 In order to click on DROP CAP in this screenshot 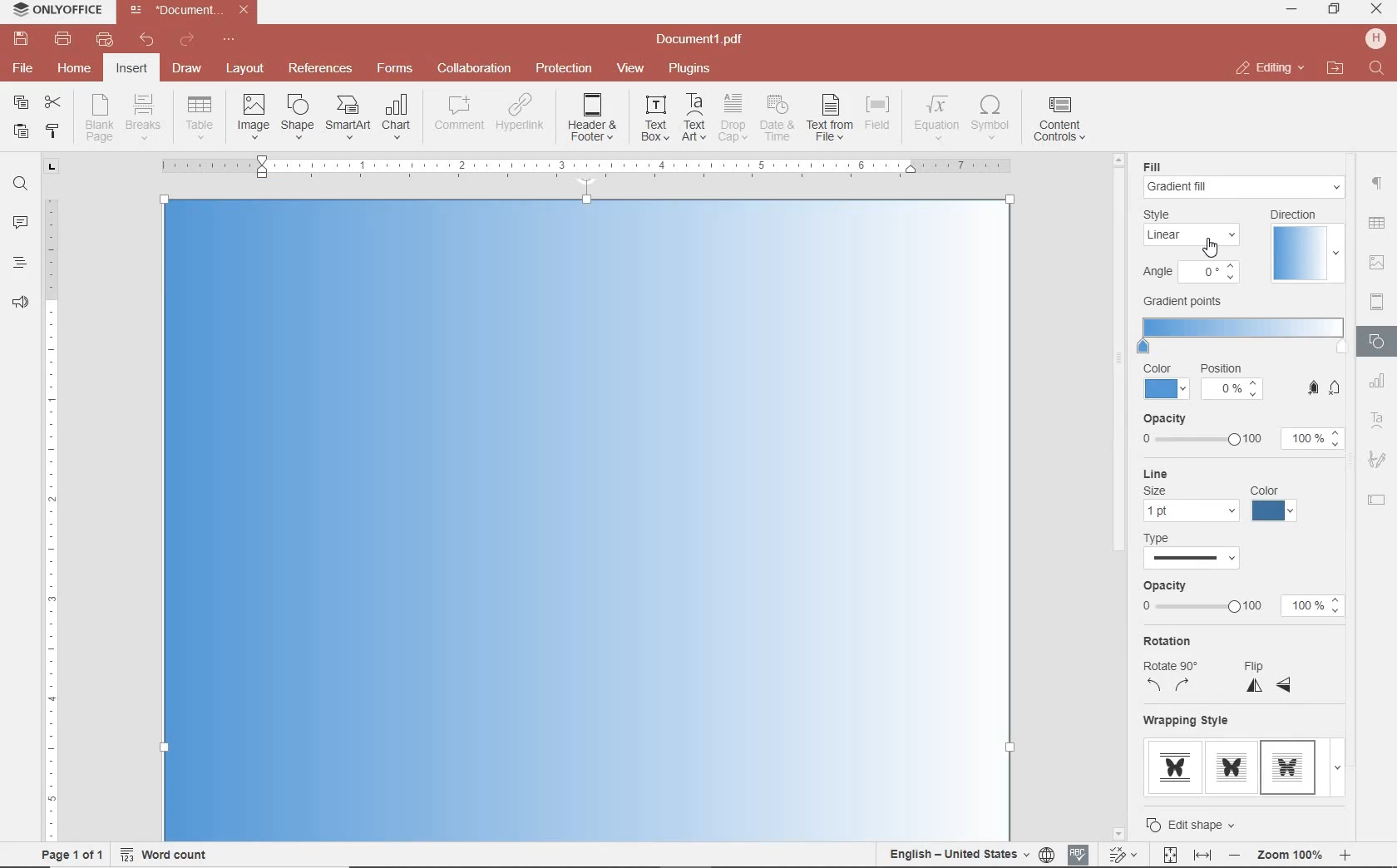, I will do `click(733, 118)`.